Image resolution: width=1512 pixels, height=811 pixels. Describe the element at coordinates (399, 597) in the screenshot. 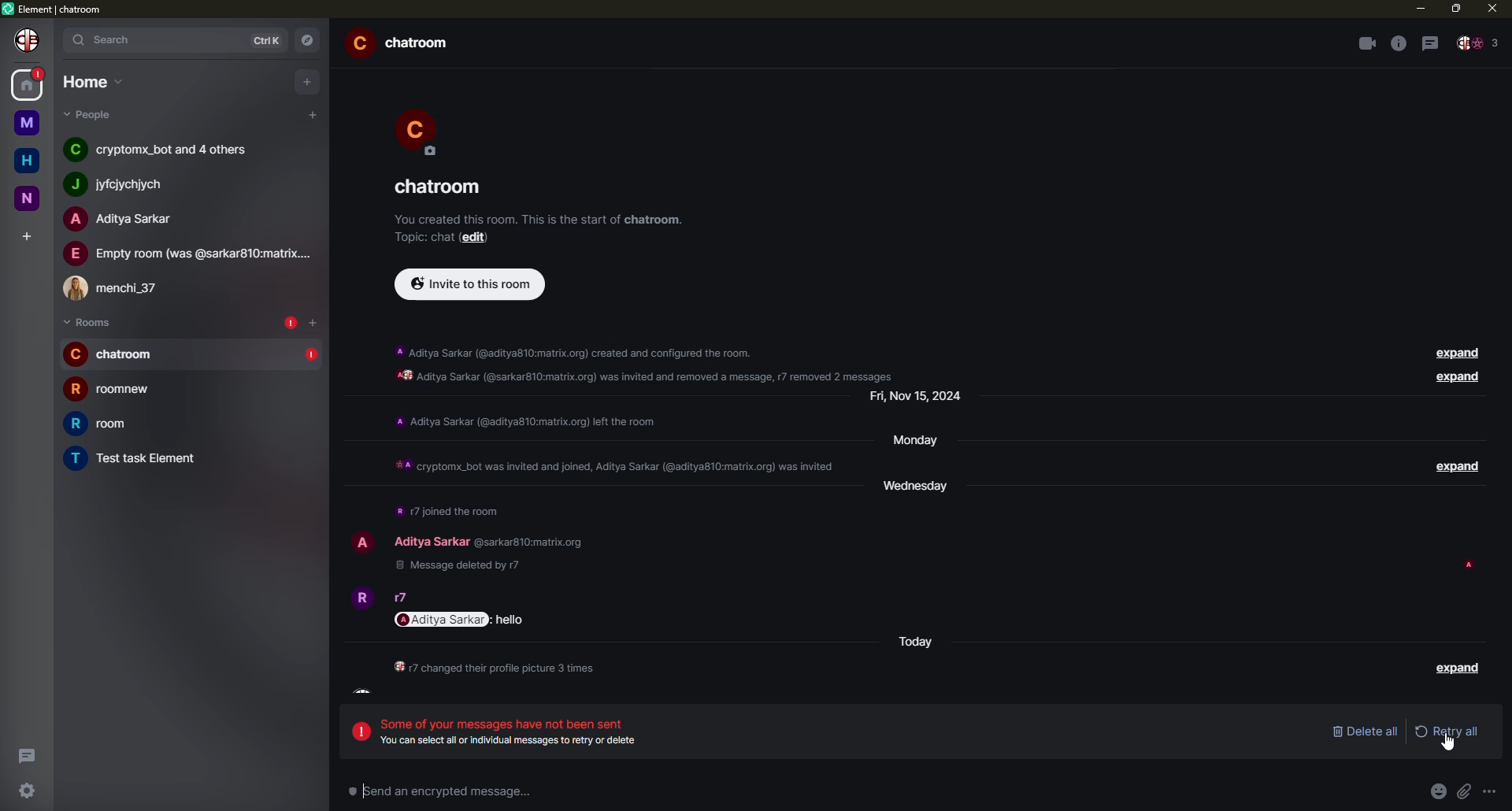

I see `people` at that location.